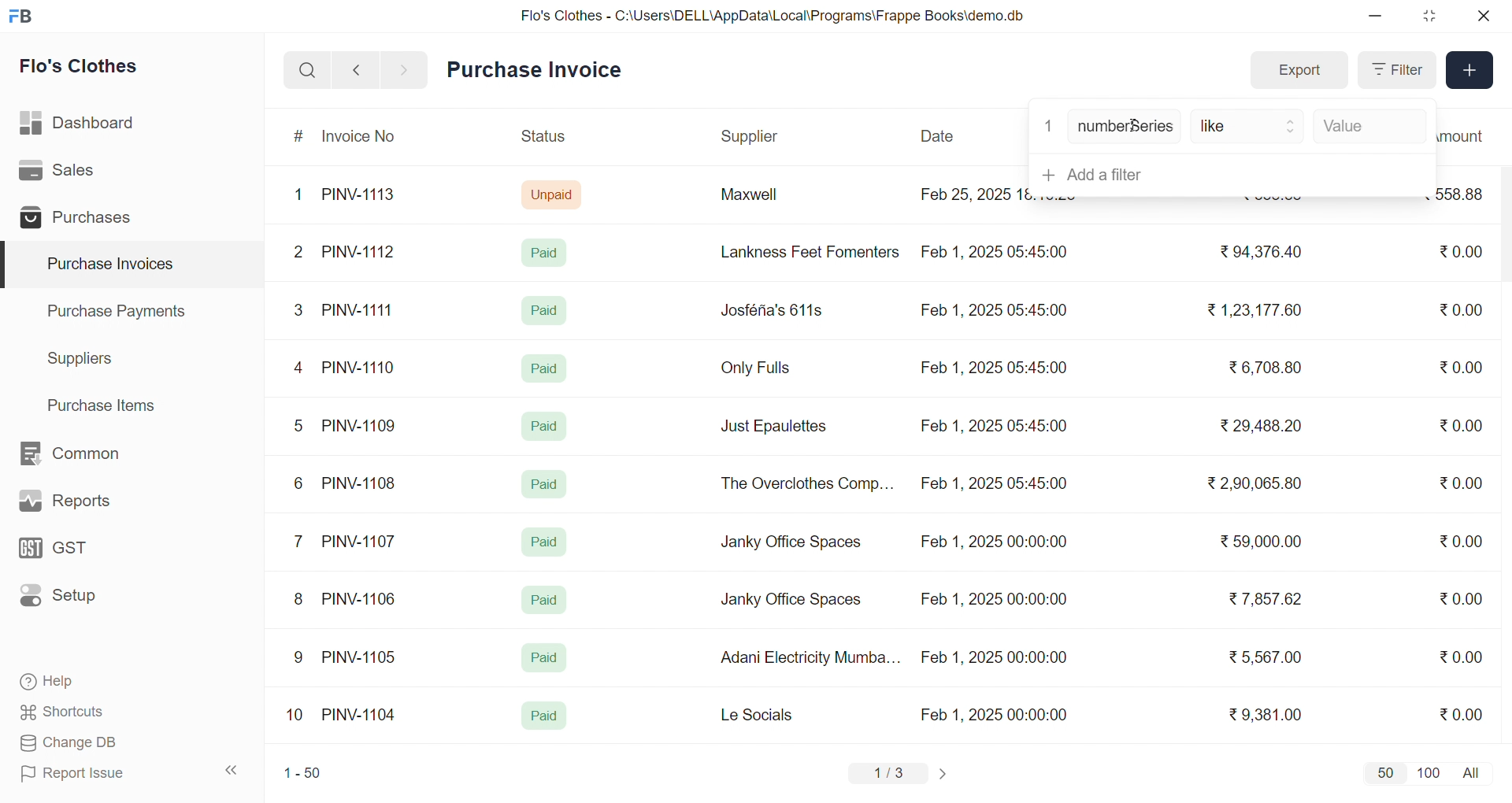 Image resolution: width=1512 pixels, height=803 pixels. Describe the element at coordinates (945, 773) in the screenshot. I see `change page` at that location.